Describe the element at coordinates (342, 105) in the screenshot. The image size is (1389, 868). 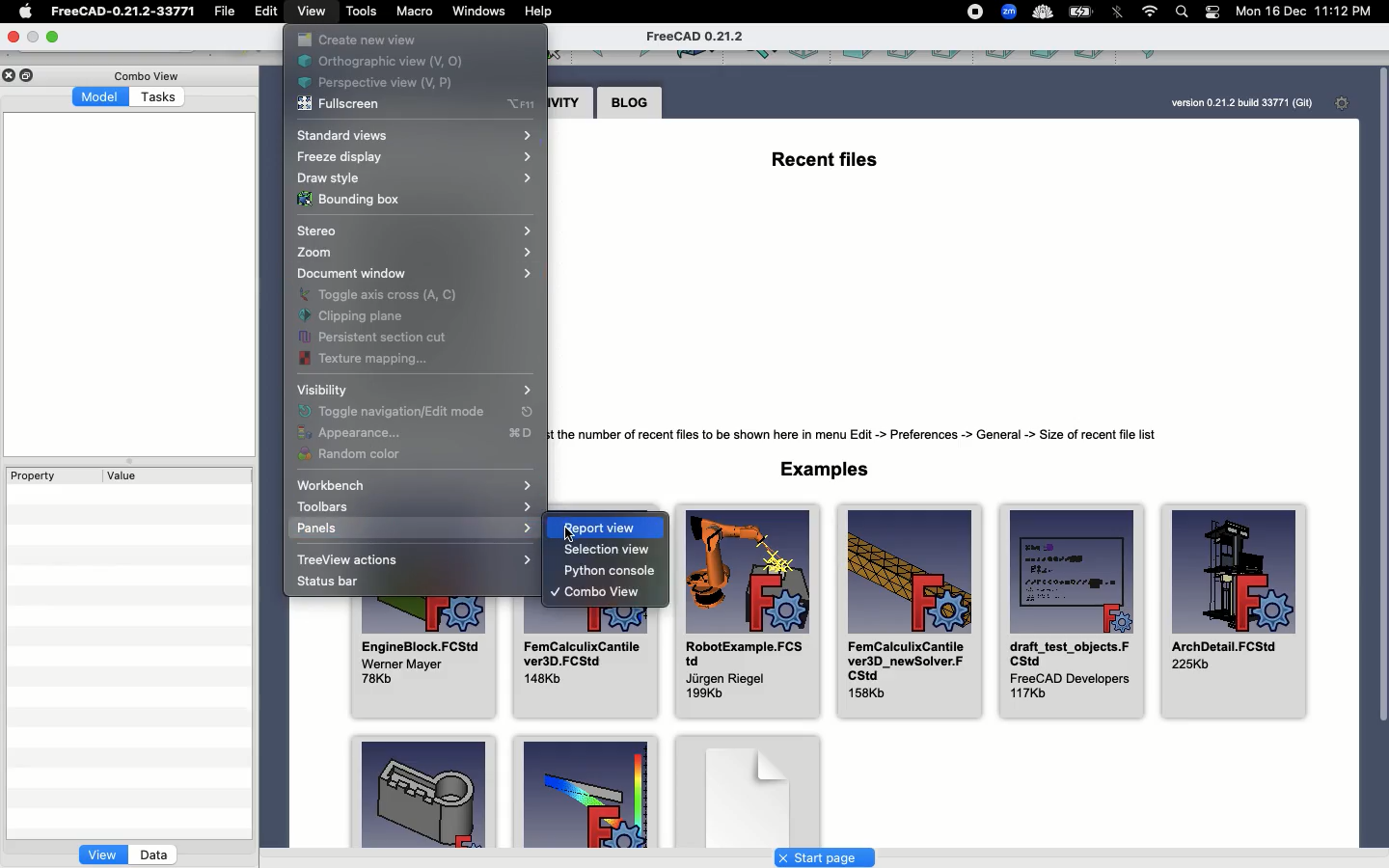
I see `Fullscreen` at that location.